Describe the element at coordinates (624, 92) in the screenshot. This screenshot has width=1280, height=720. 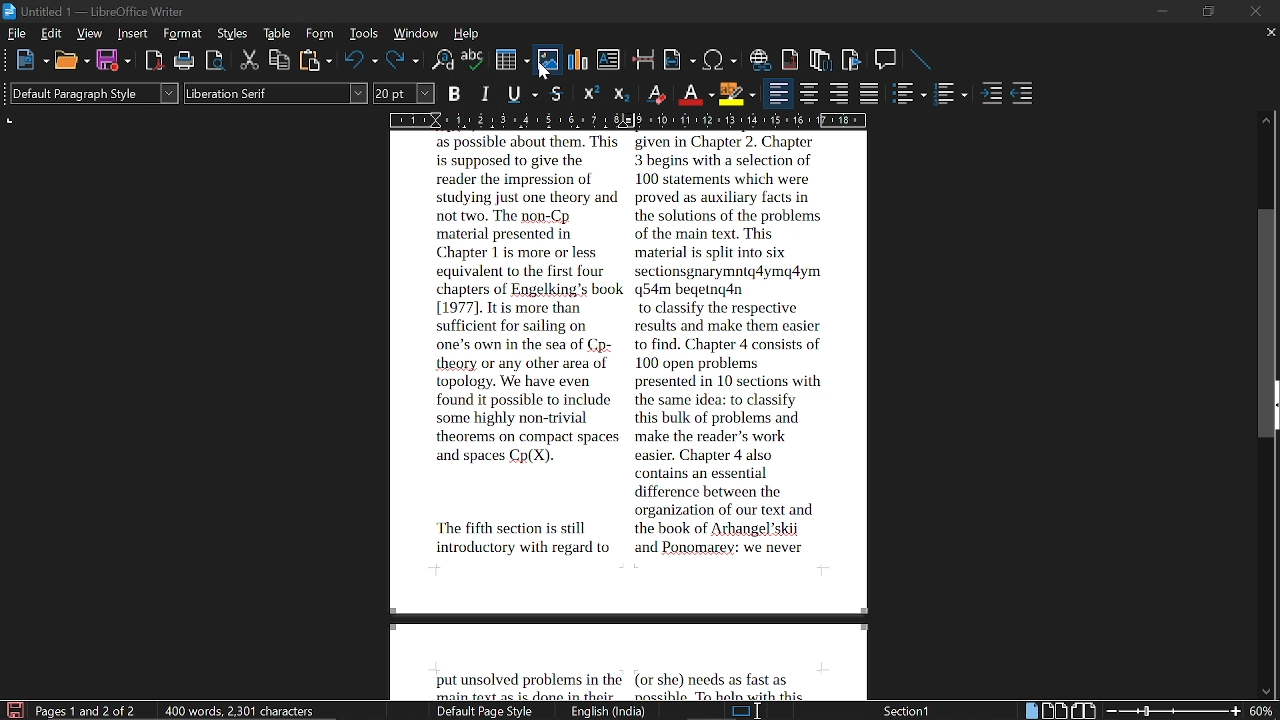
I see `` at that location.